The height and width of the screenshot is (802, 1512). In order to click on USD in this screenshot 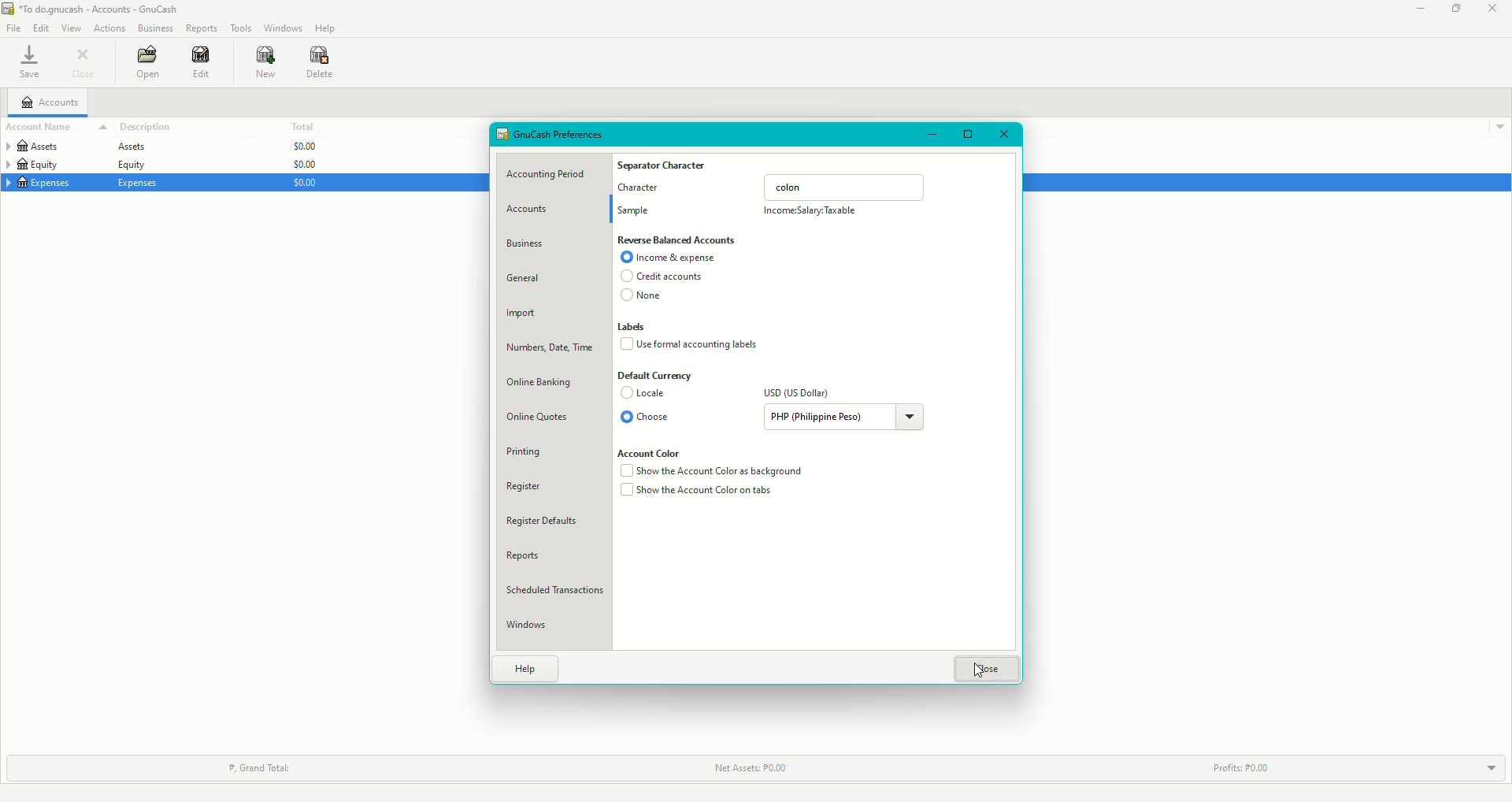, I will do `click(798, 393)`.